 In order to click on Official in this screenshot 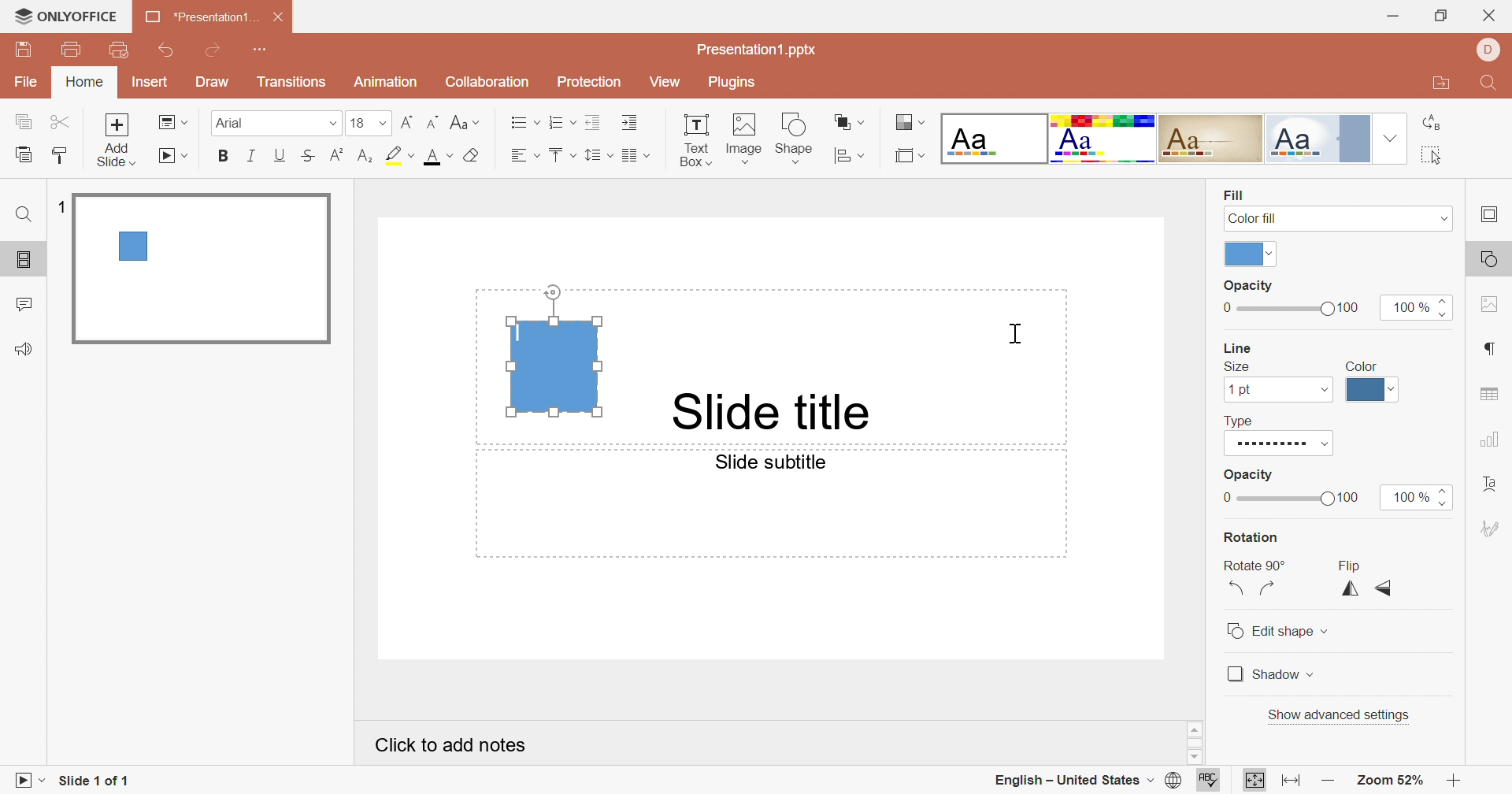, I will do `click(1324, 139)`.